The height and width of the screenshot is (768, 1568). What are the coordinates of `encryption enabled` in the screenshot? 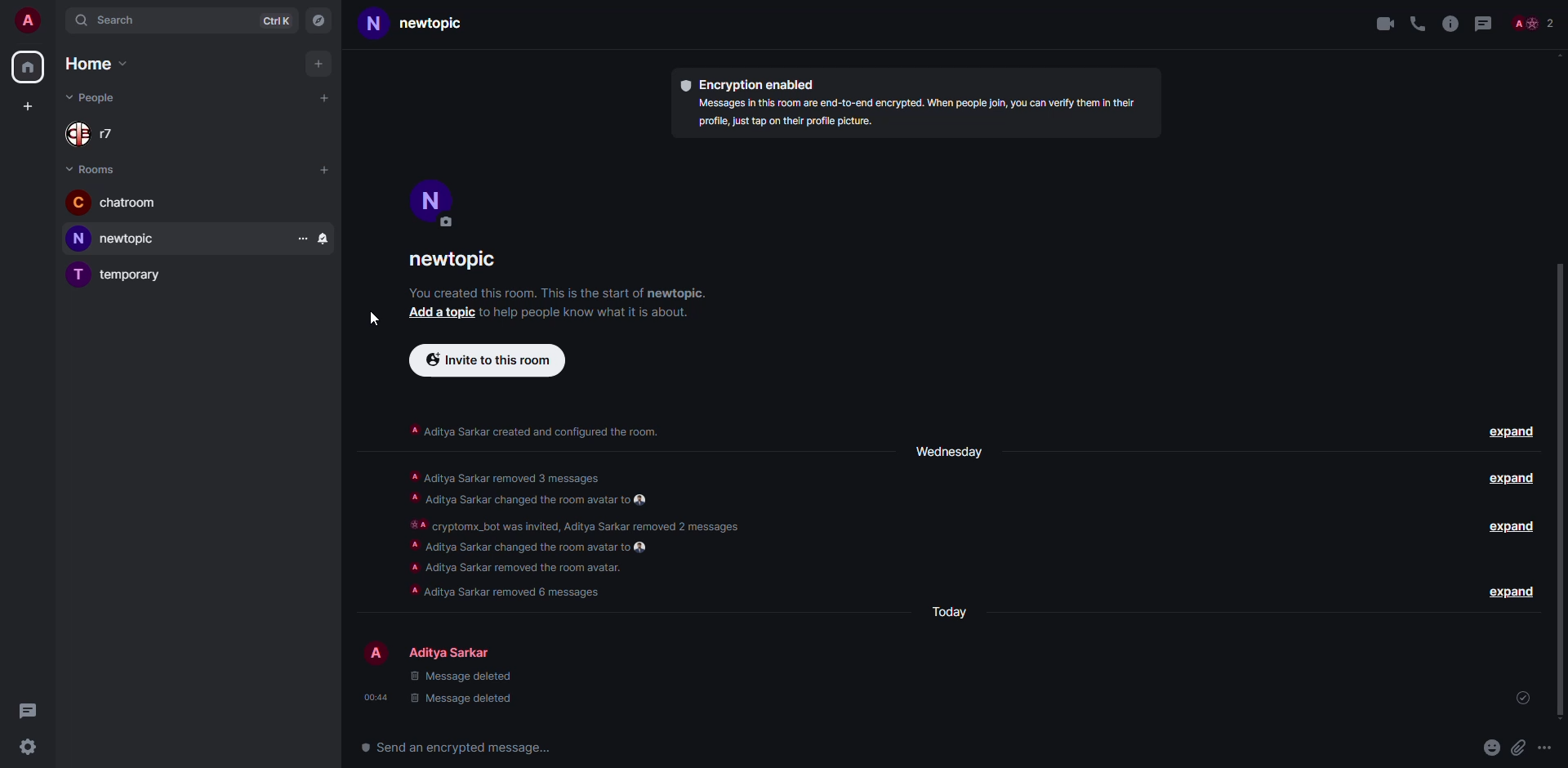 It's located at (753, 86).